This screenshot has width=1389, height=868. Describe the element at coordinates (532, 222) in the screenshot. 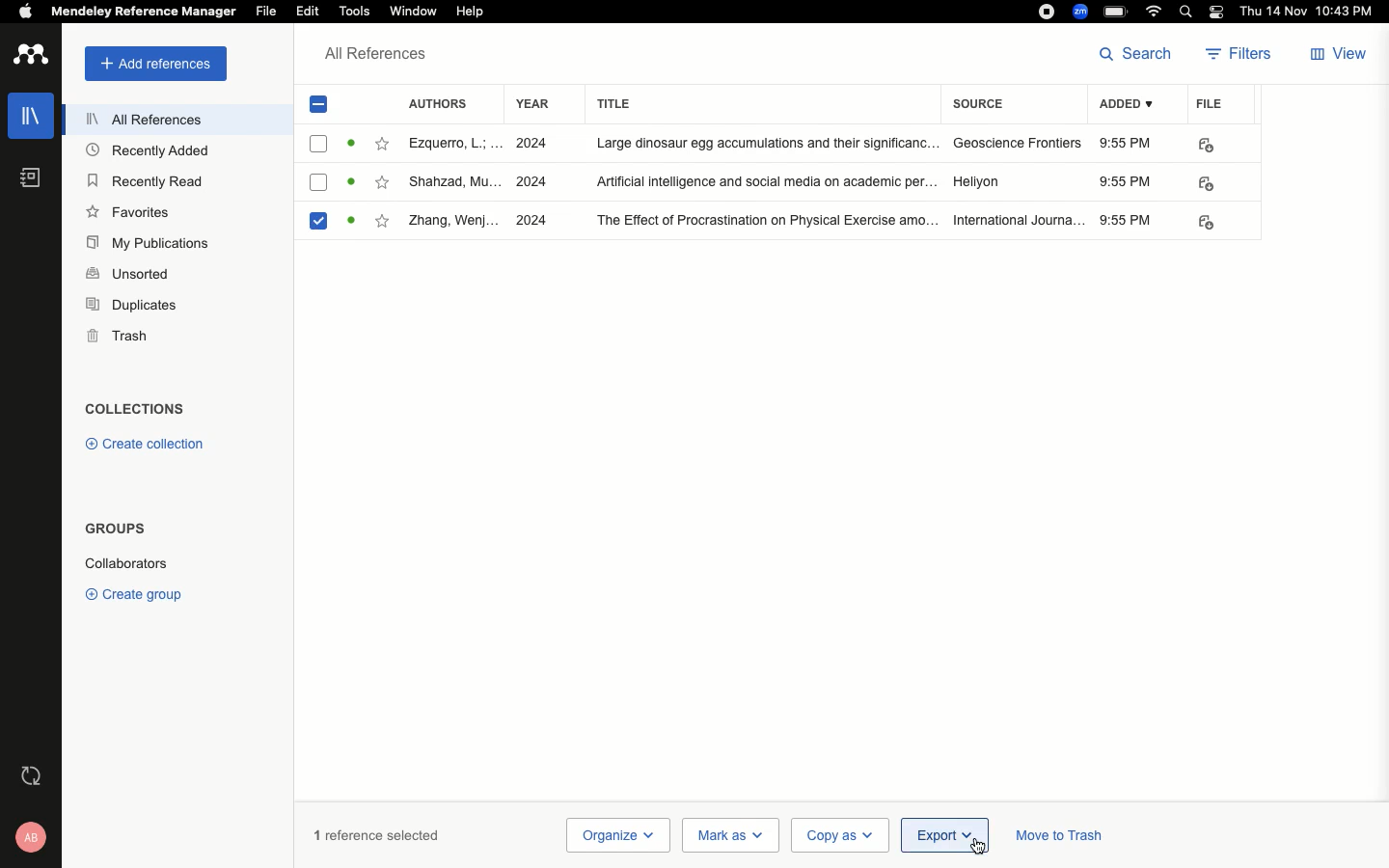

I see `2024` at that location.